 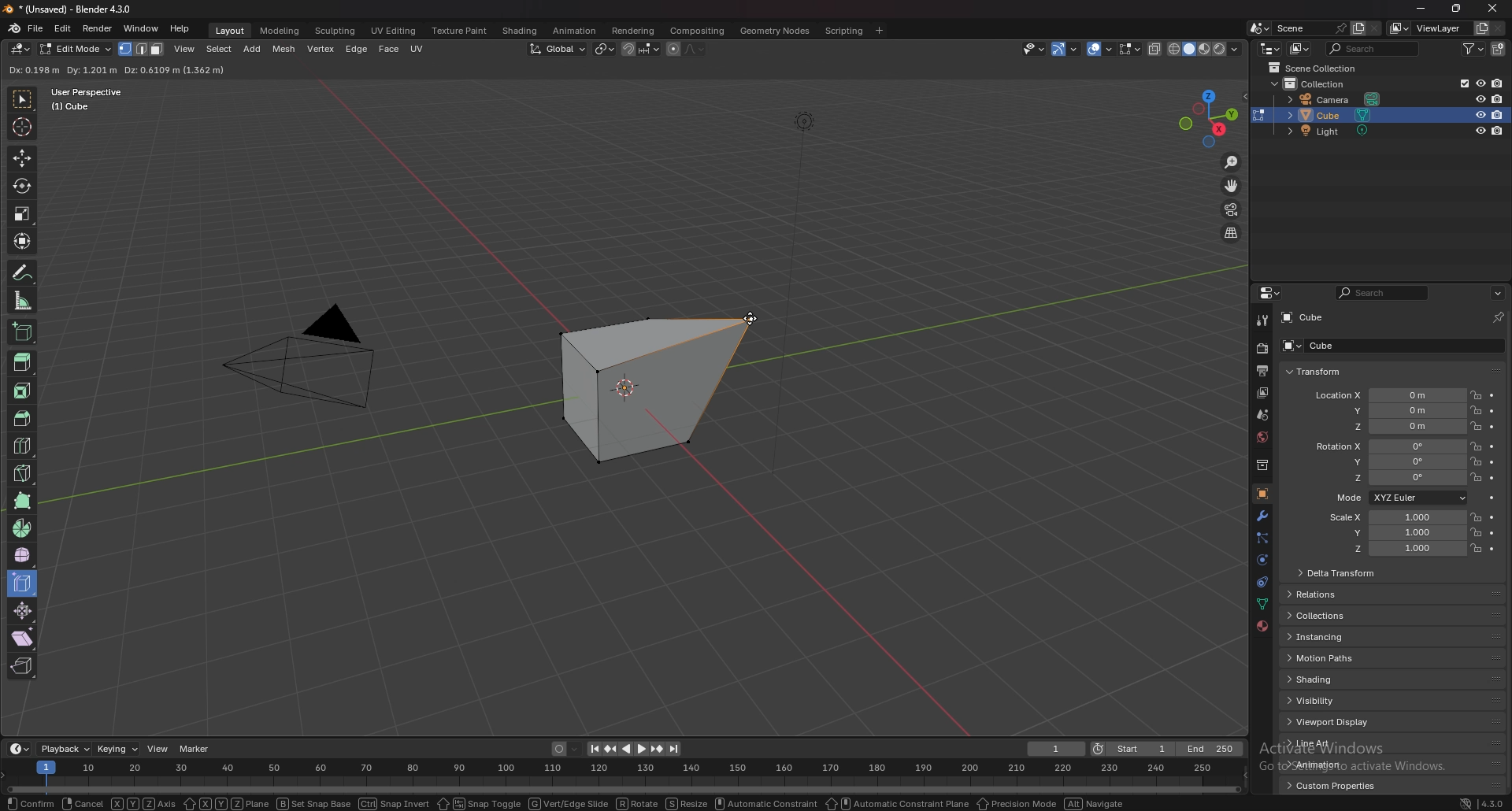 I want to click on shading, so click(x=521, y=30).